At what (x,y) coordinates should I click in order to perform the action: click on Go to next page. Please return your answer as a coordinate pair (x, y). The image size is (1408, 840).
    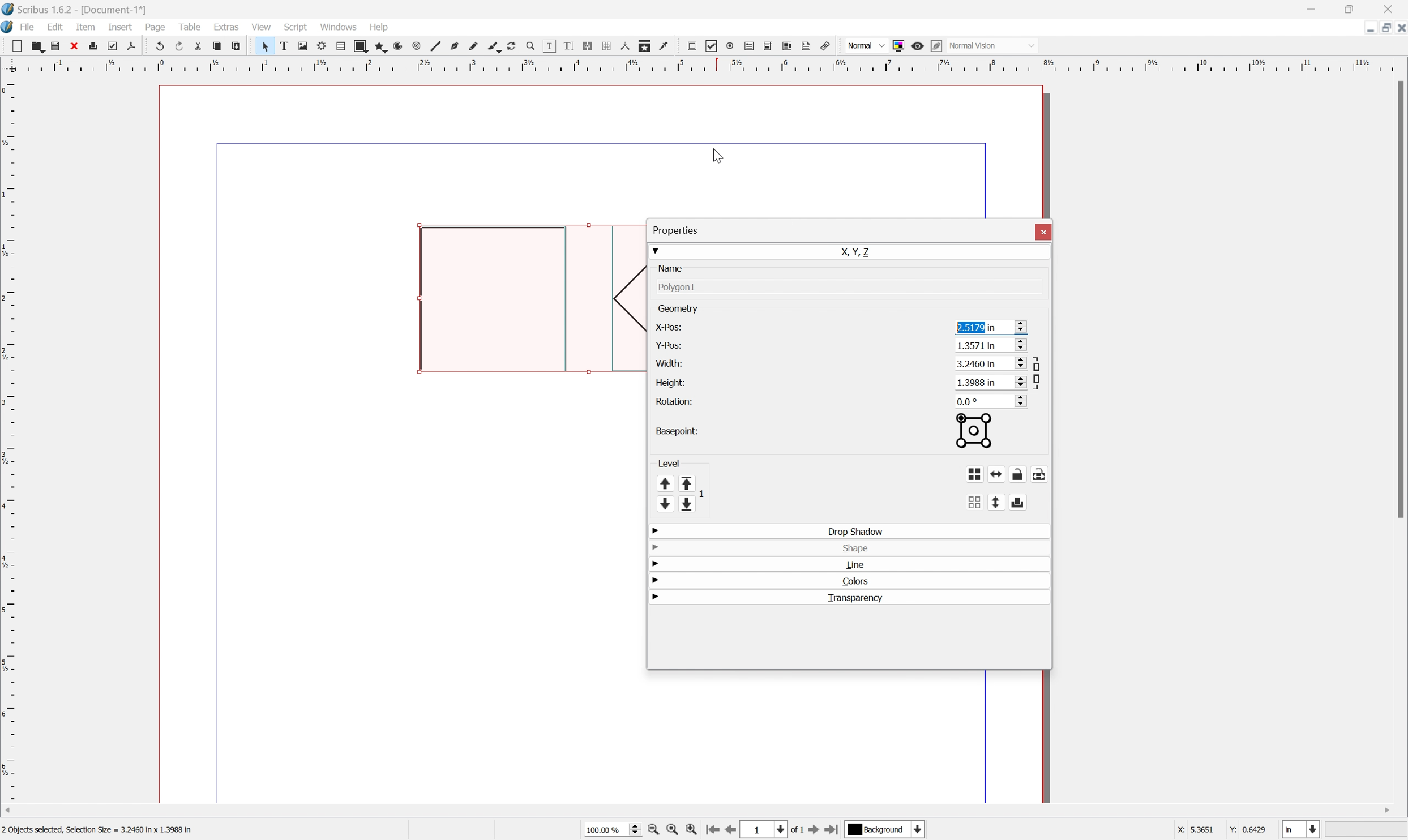
    Looking at the image, I should click on (811, 831).